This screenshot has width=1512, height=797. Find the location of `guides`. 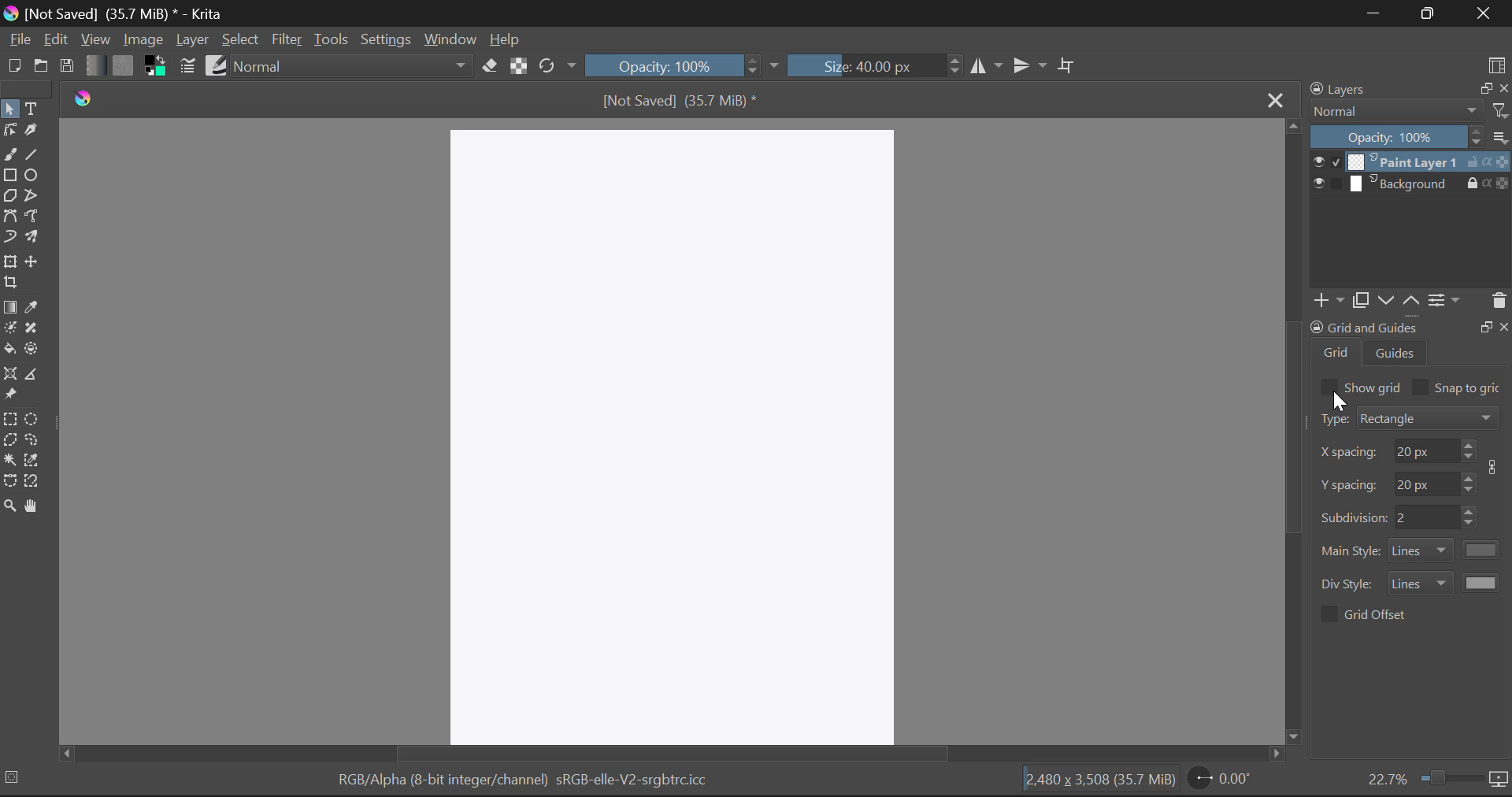

guides is located at coordinates (1396, 352).